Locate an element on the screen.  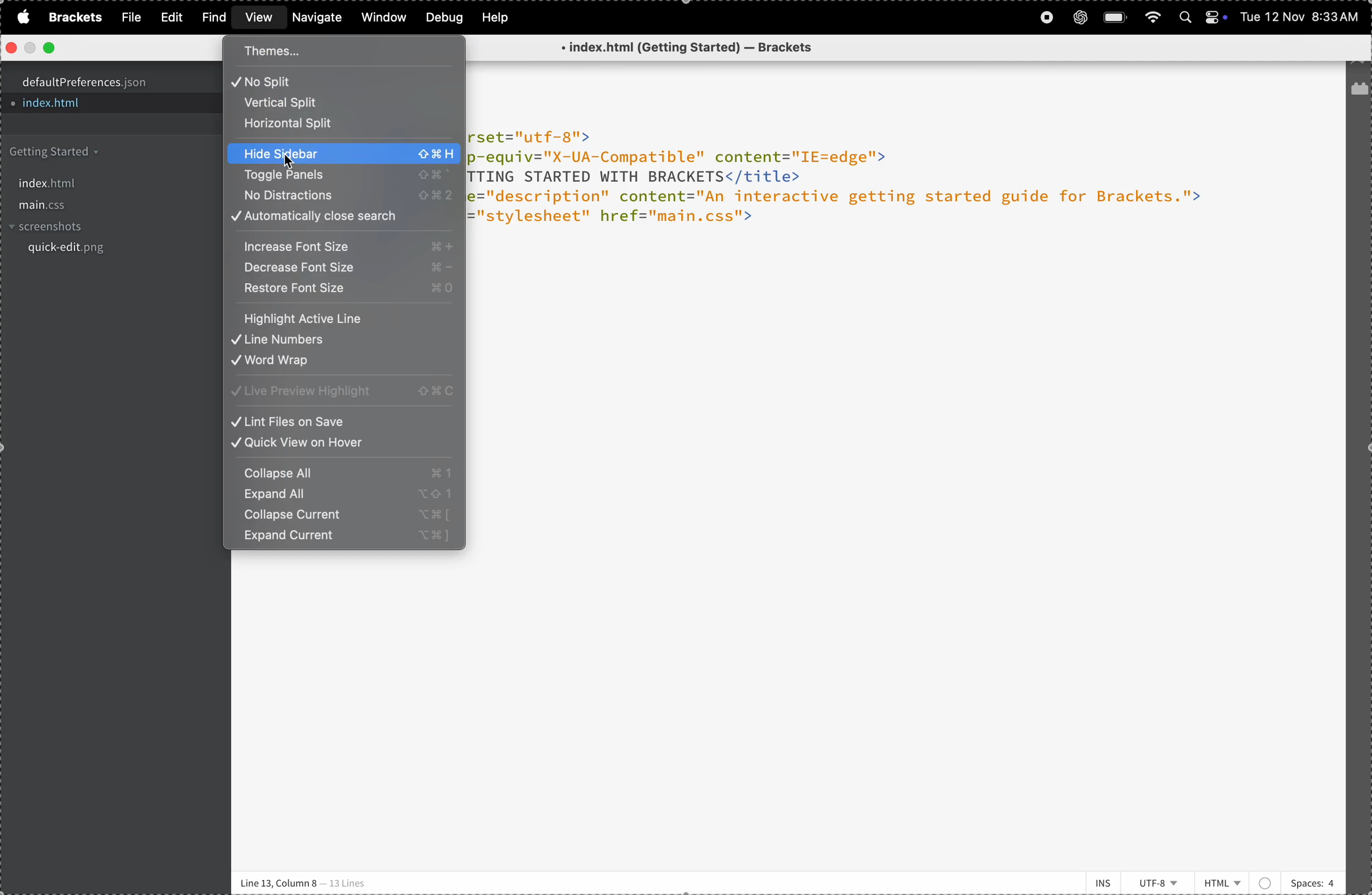
toggle panels is located at coordinates (341, 176).